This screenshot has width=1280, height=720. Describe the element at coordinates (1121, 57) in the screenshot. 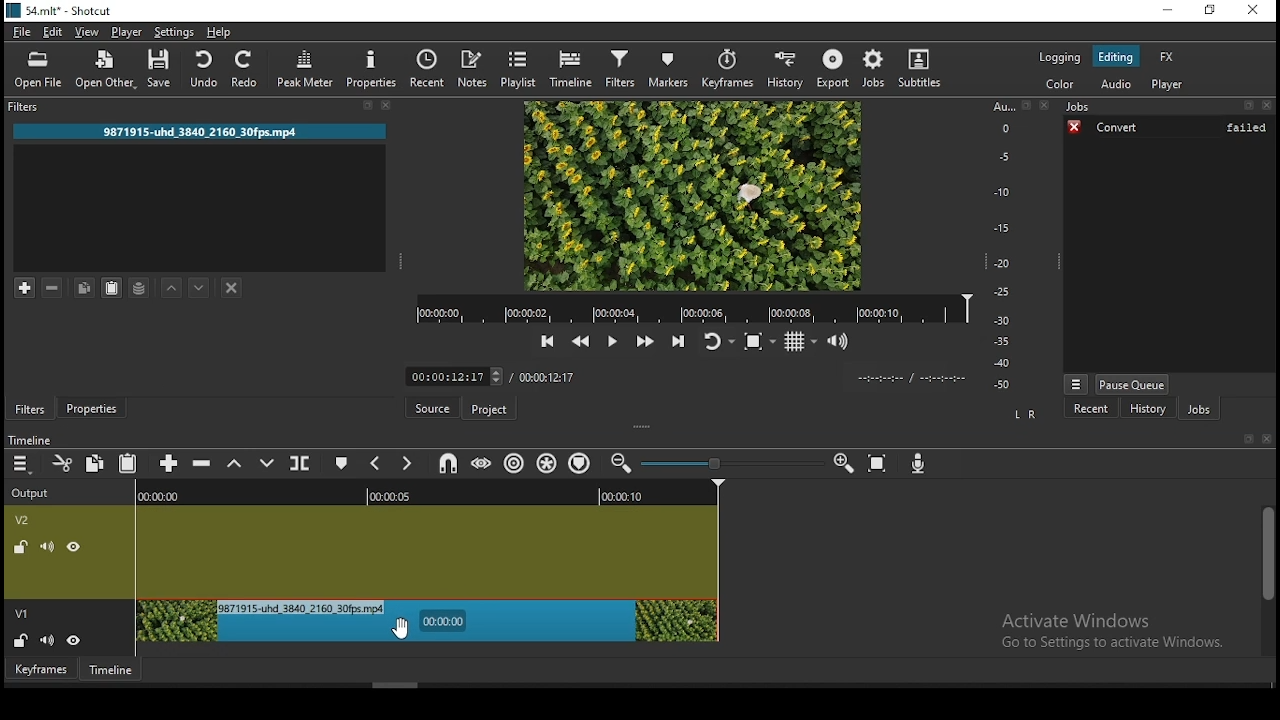

I see `editing` at that location.